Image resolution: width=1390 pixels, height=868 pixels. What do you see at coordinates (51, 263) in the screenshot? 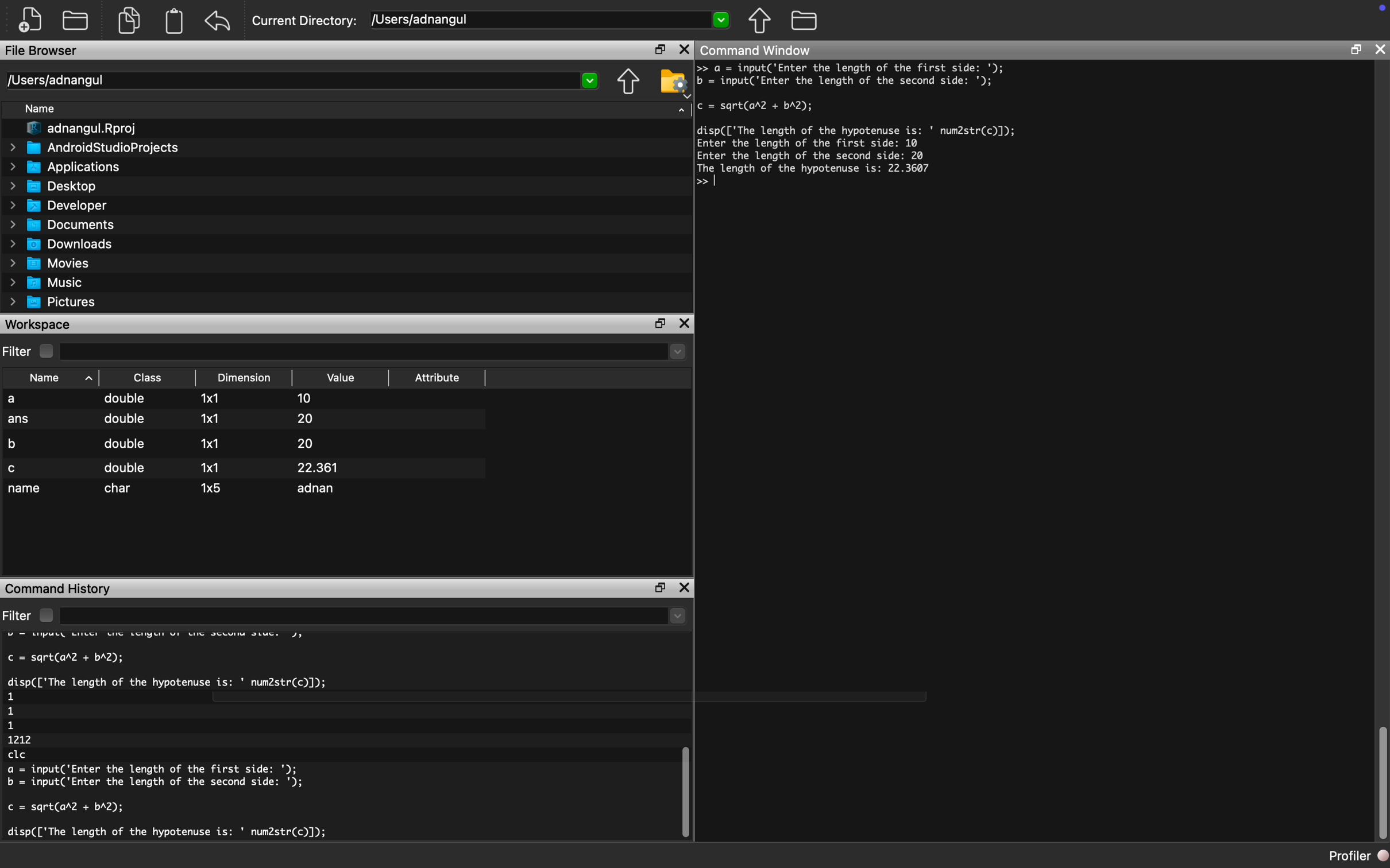
I see ` Movies` at bounding box center [51, 263].